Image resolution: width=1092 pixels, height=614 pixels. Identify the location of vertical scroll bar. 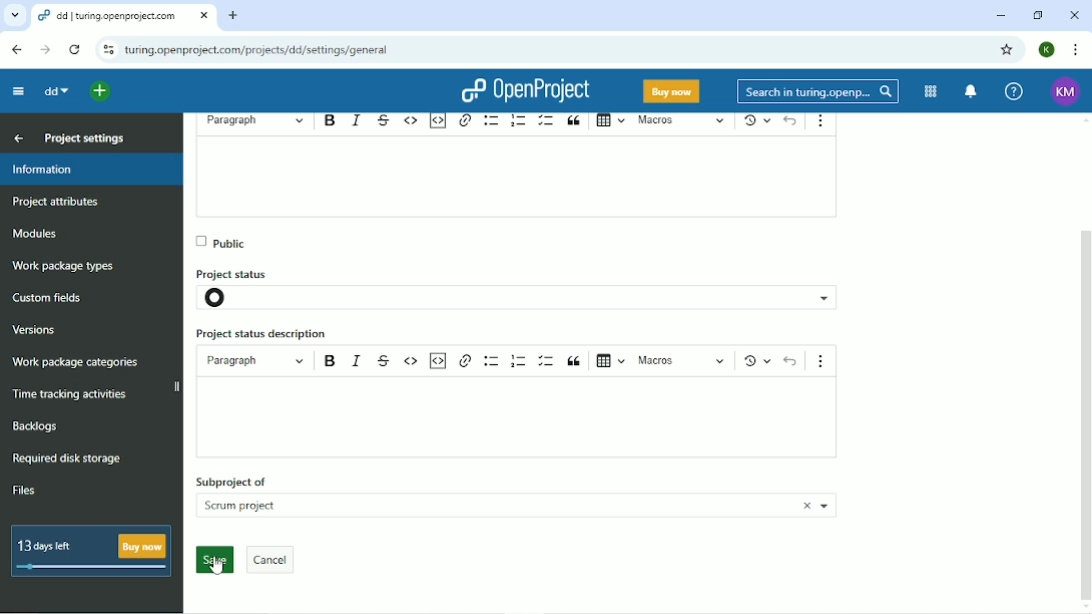
(1089, 314).